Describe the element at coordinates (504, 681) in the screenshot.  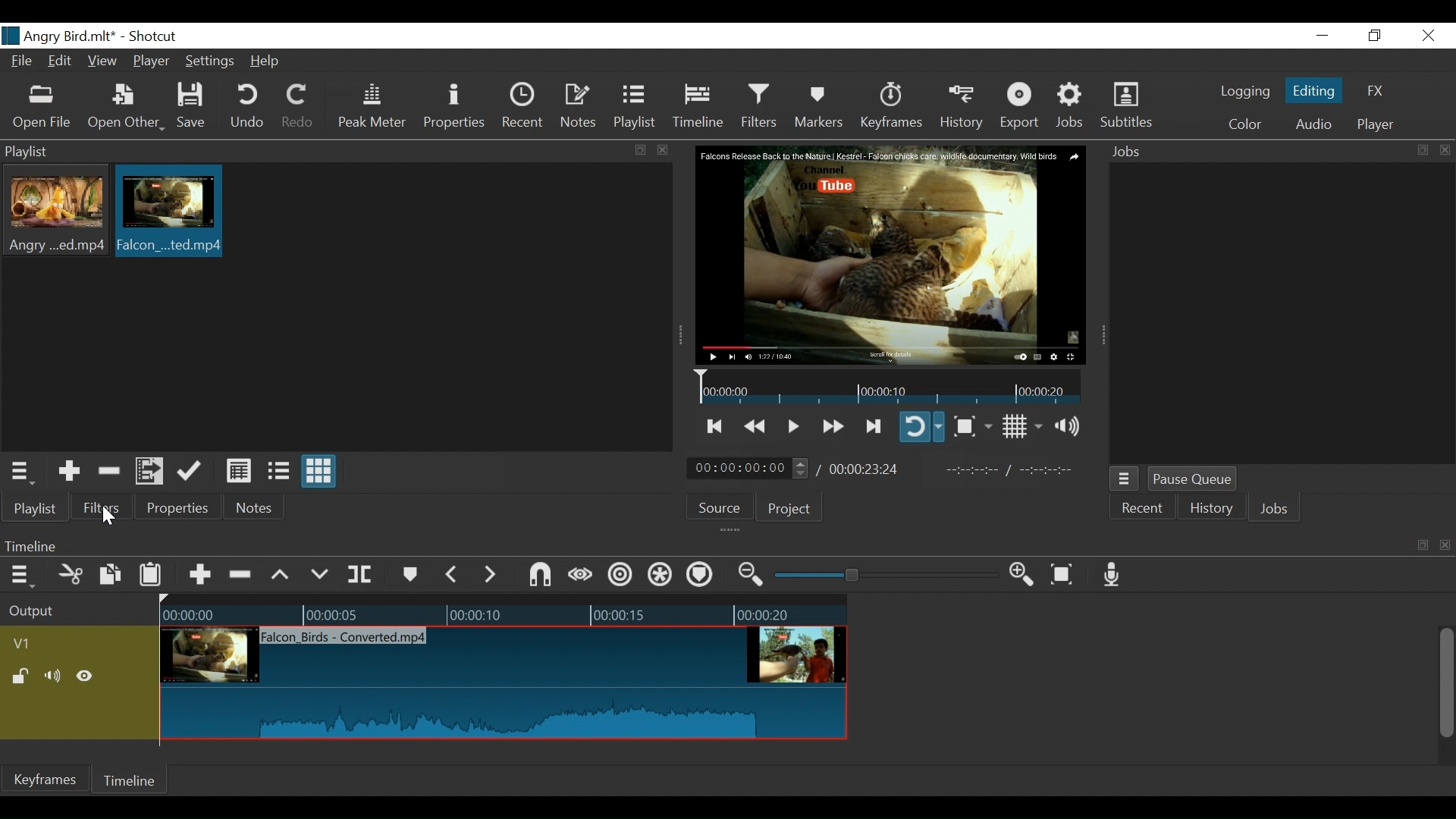
I see `Video track clip` at that location.